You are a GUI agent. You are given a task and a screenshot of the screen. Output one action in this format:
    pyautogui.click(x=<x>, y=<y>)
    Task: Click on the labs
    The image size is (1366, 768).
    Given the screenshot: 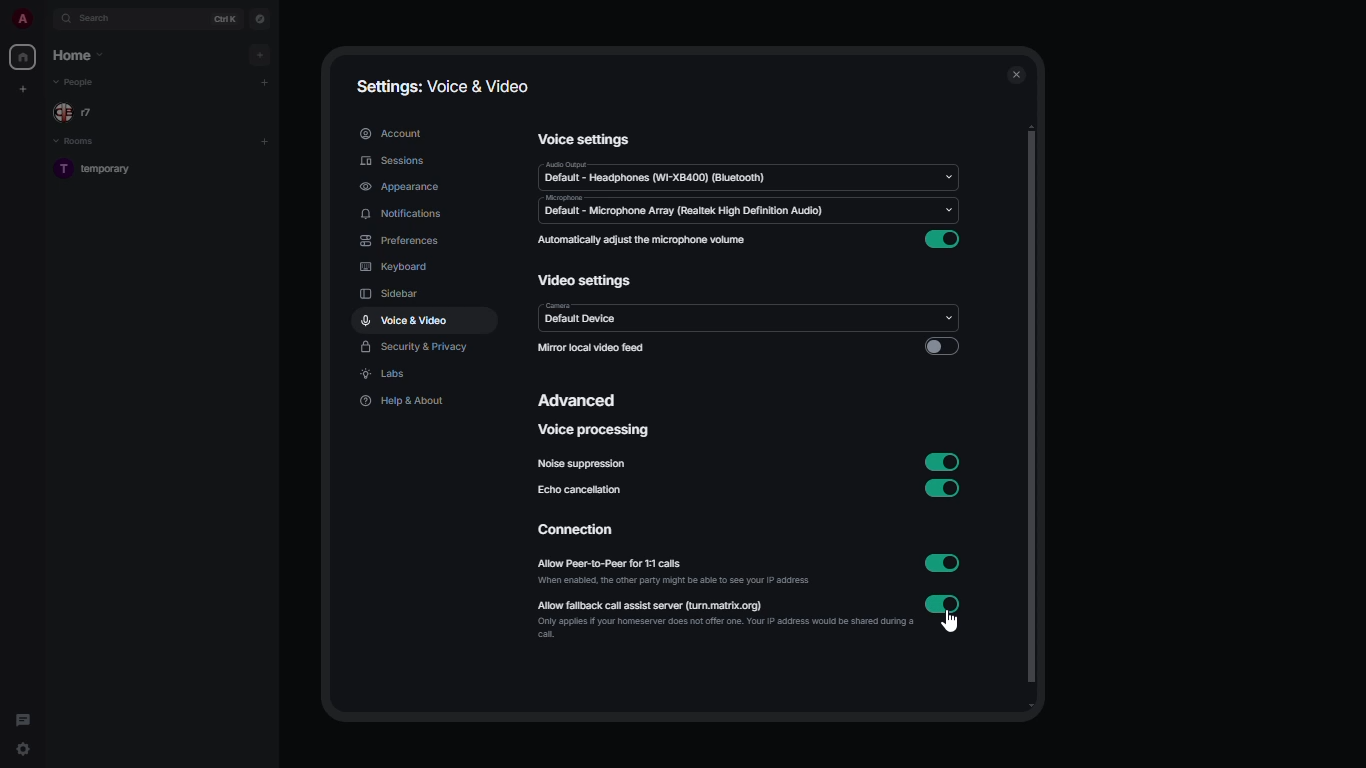 What is the action you would take?
    pyautogui.click(x=387, y=375)
    